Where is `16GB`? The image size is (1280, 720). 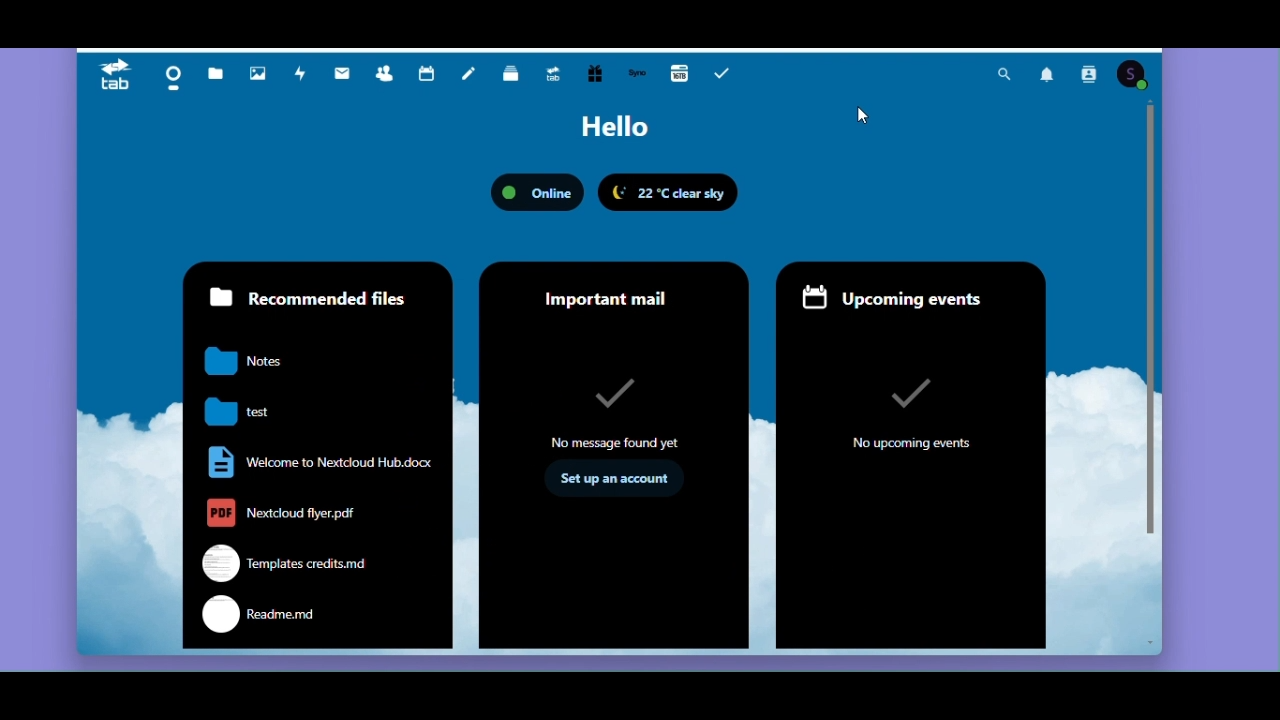 16GB is located at coordinates (680, 72).